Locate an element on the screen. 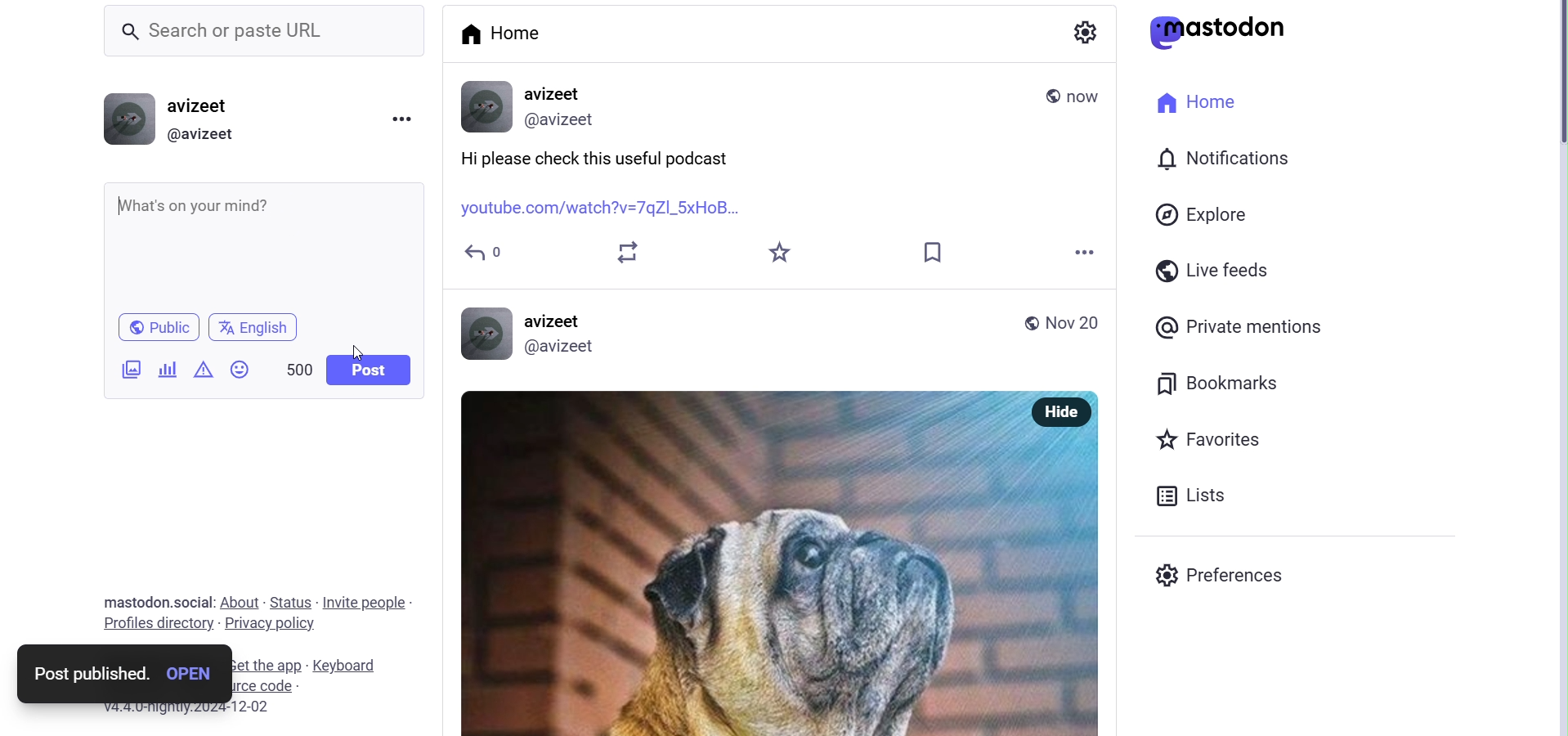  view source code is located at coordinates (294, 685).